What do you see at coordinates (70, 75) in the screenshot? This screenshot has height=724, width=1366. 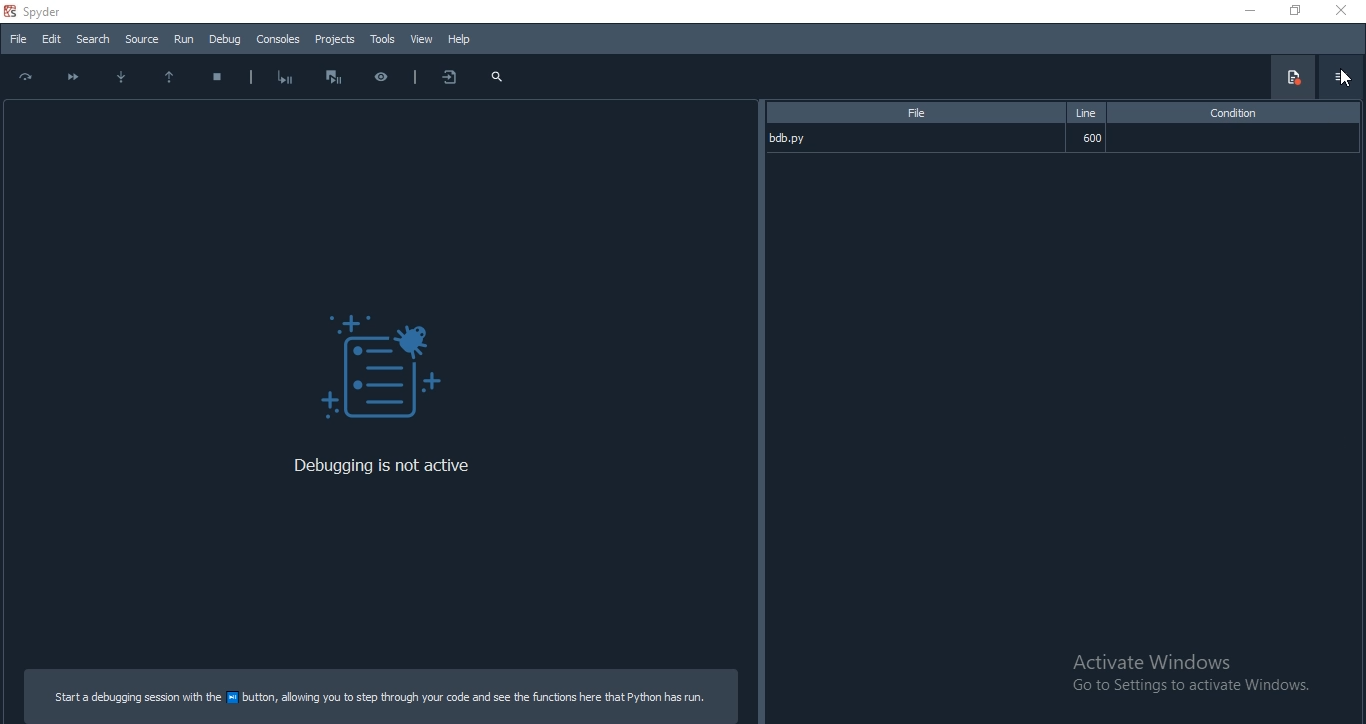 I see `Continue execution until next breakpoint` at bounding box center [70, 75].